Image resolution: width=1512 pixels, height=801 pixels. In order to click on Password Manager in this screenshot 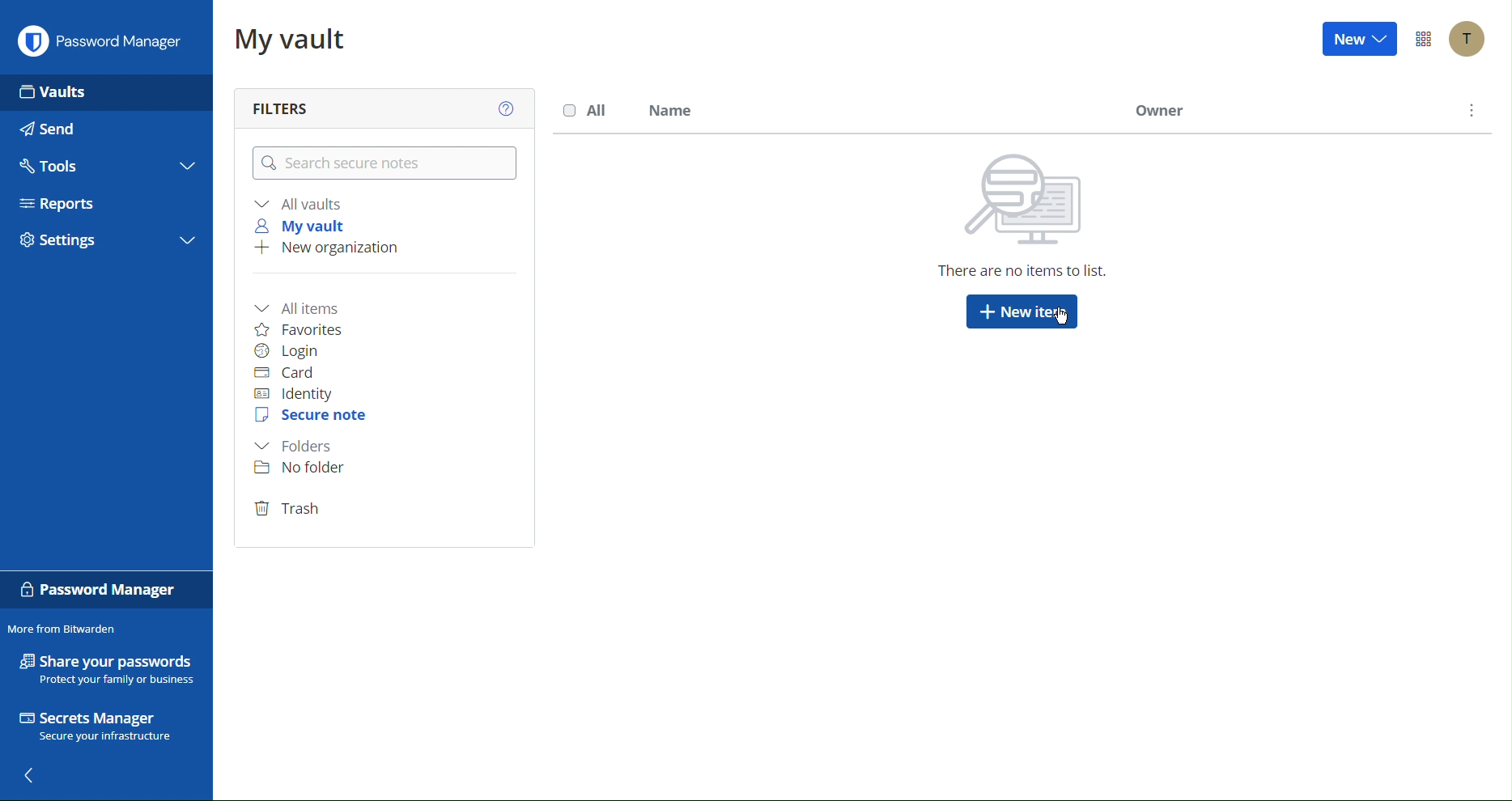, I will do `click(101, 38)`.